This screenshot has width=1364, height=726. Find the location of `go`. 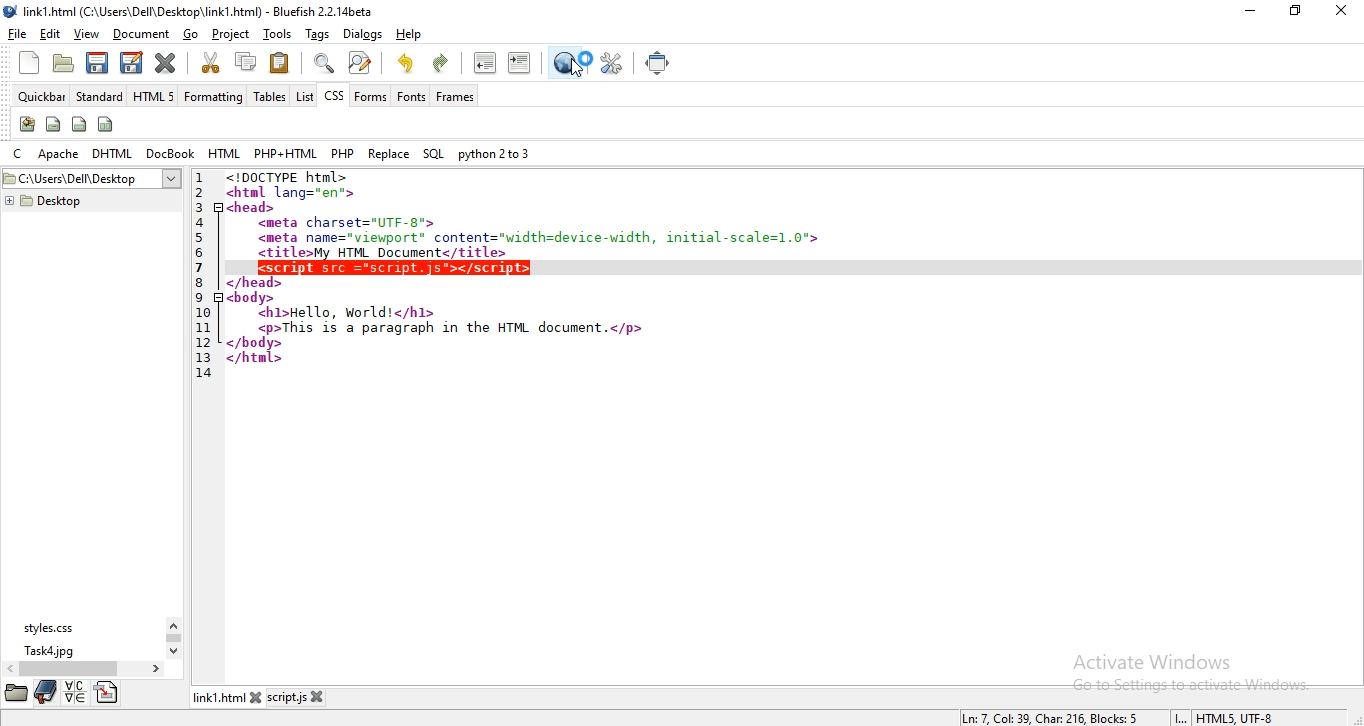

go is located at coordinates (188, 33).